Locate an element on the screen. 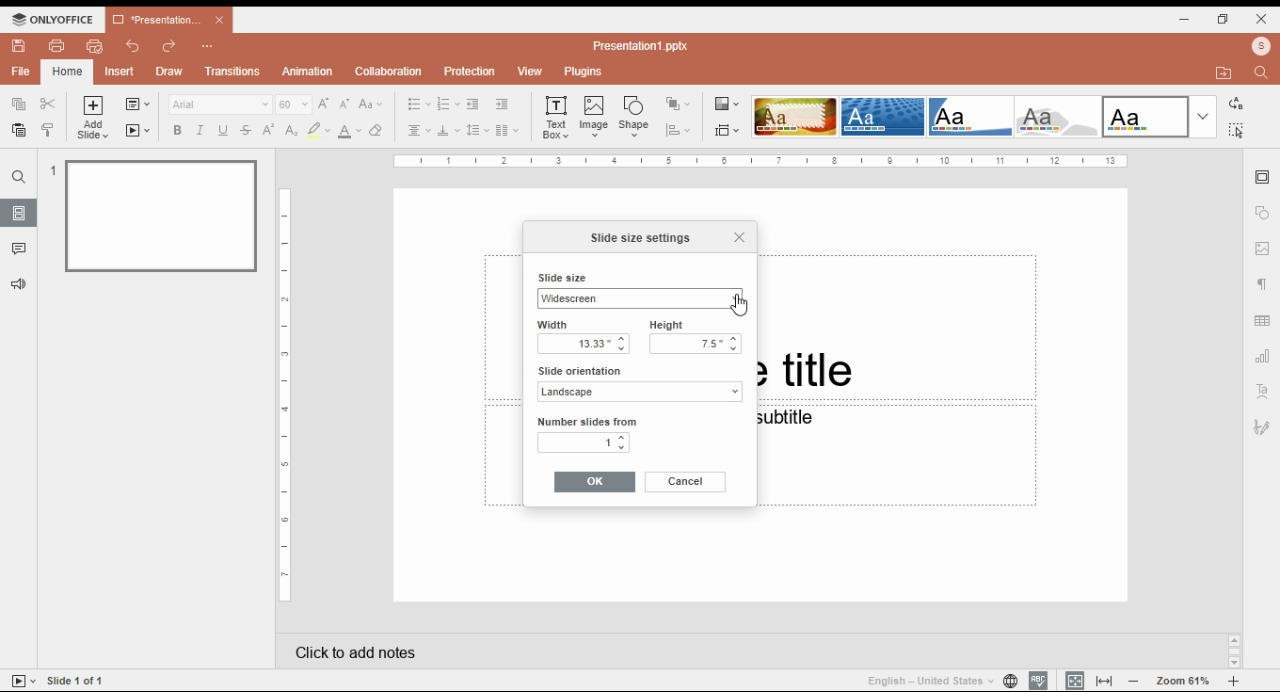 This screenshot has width=1280, height=692. feedback and support is located at coordinates (20, 285).